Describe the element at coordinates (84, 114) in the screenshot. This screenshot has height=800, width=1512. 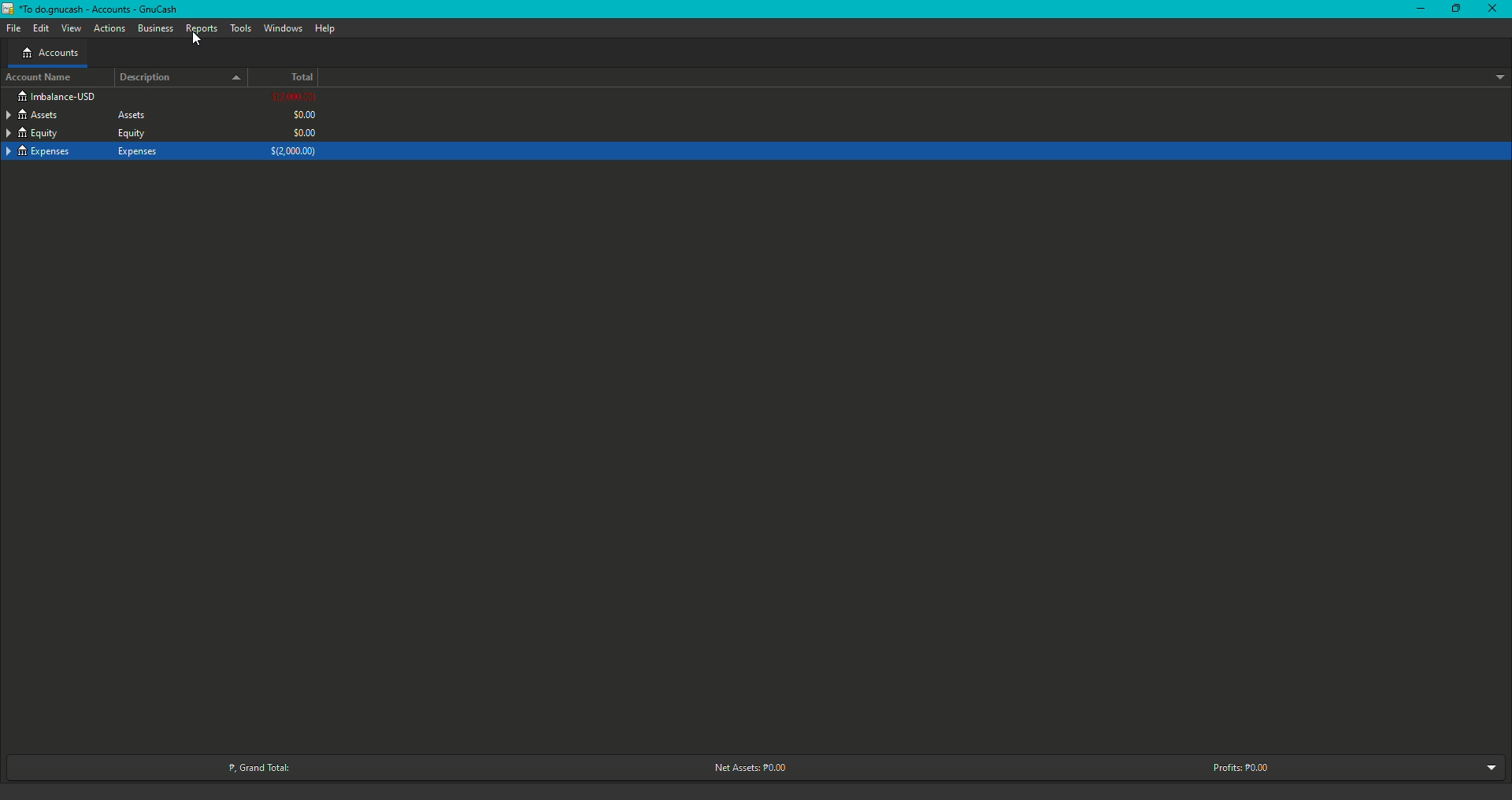
I see `Assets` at that location.